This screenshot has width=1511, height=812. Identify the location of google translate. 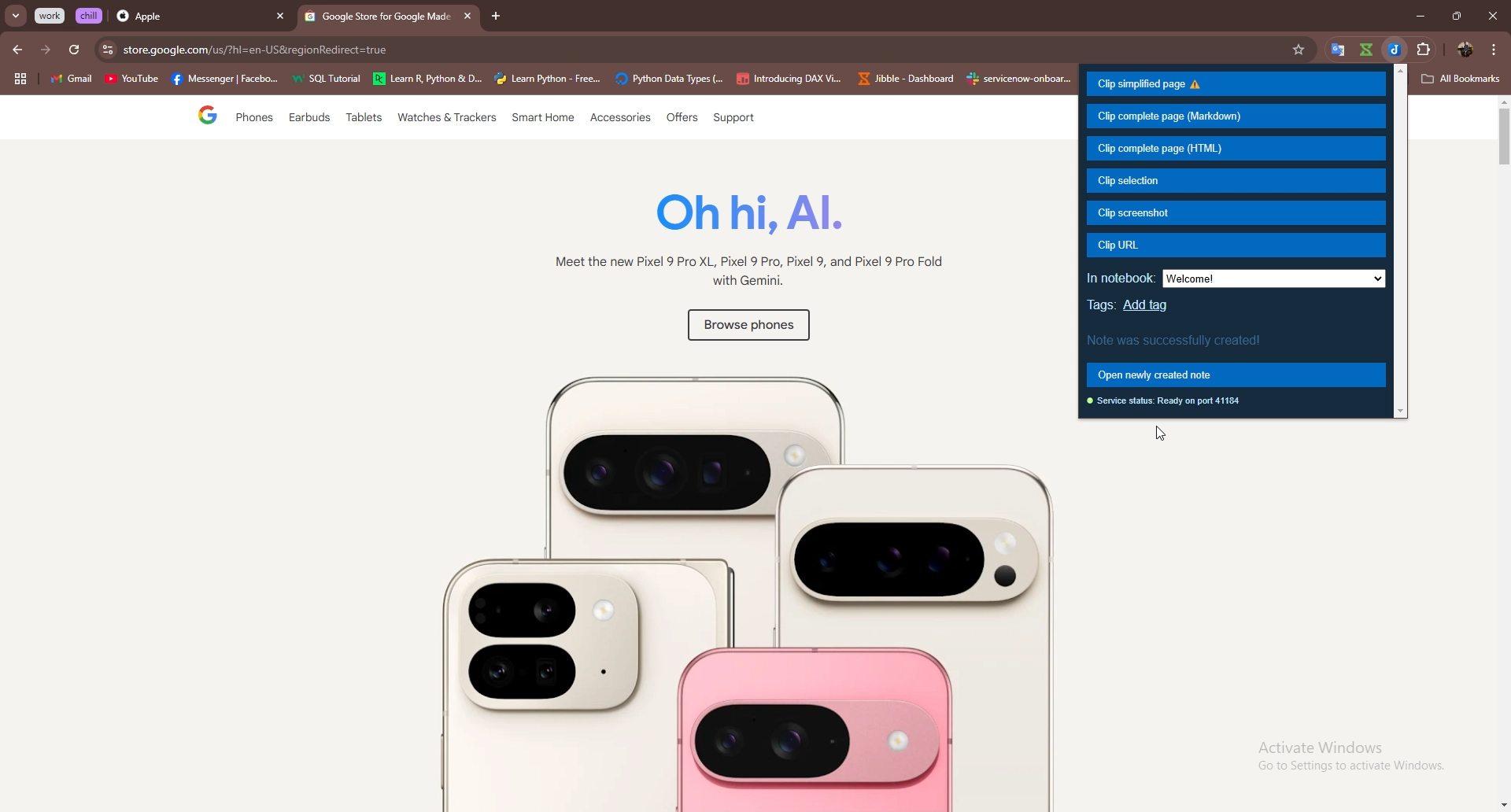
(1365, 50).